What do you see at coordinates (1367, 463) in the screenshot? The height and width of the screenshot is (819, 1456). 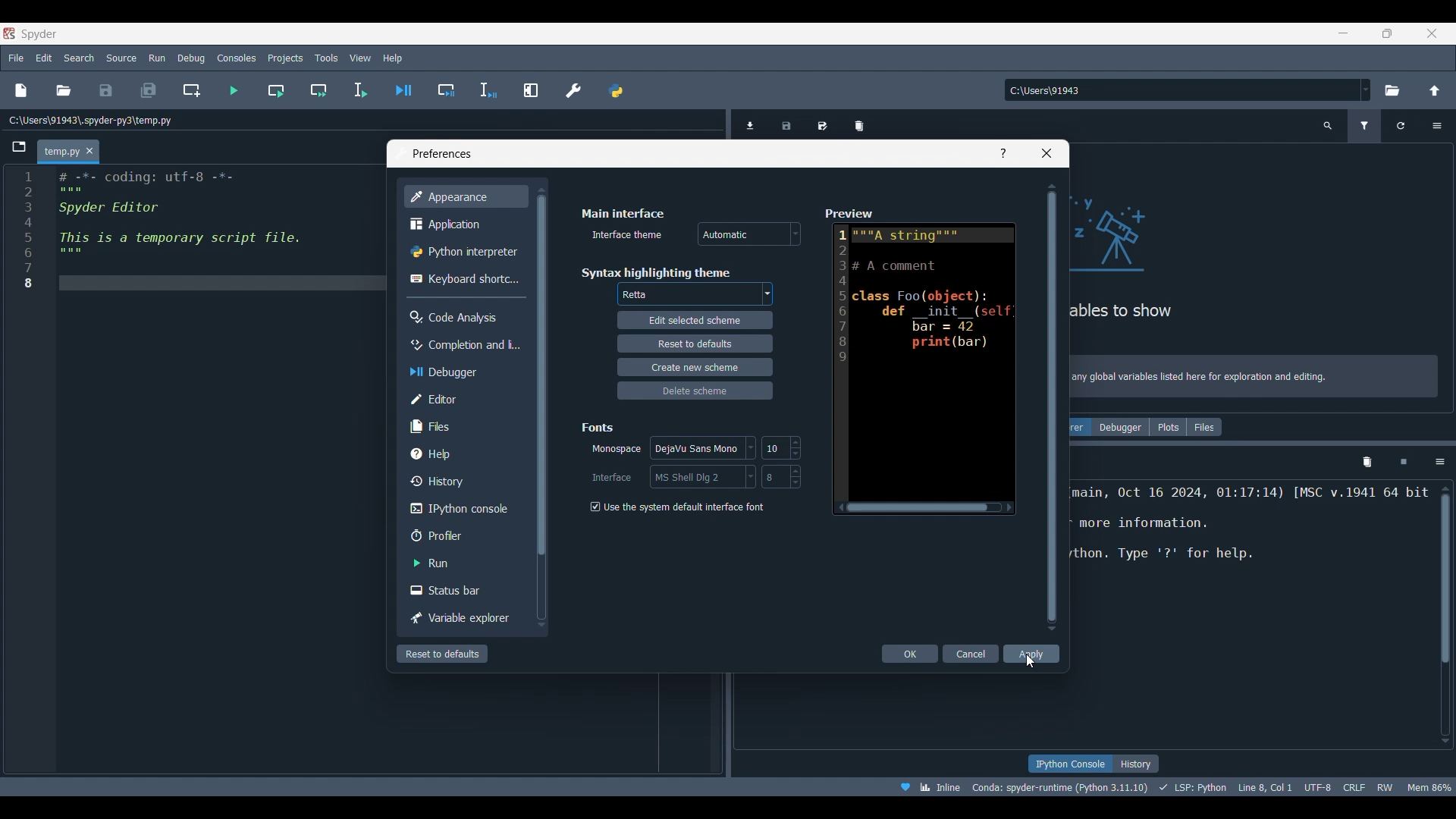 I see `Remove all variables from namespace` at bounding box center [1367, 463].